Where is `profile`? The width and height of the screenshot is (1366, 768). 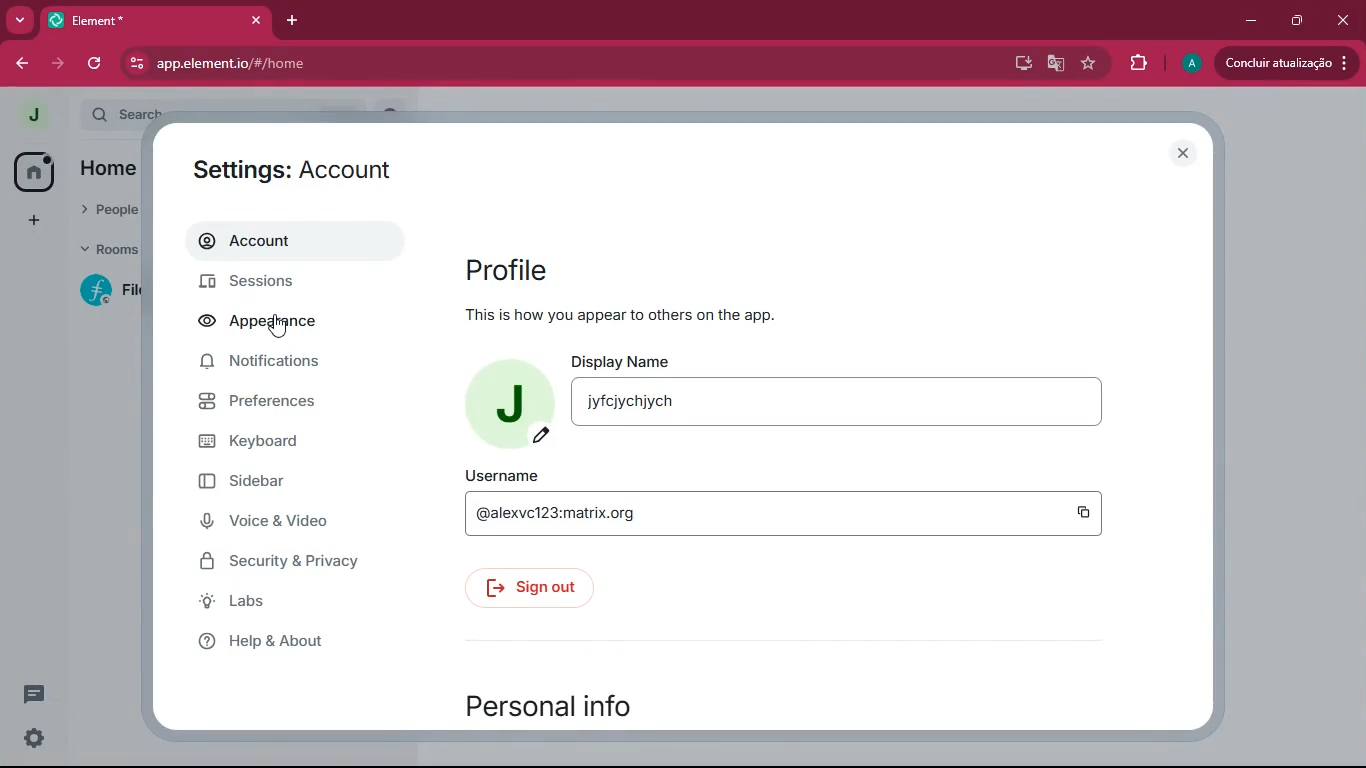
profile is located at coordinates (1192, 65).